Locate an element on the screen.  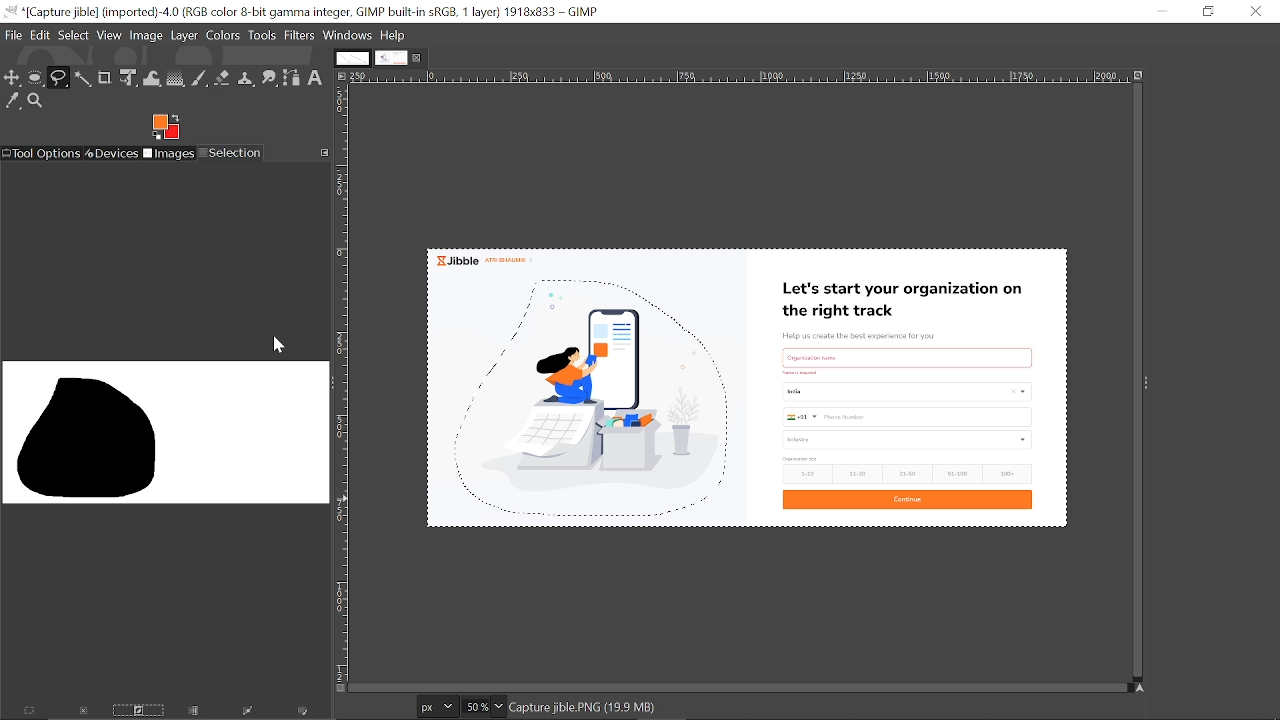
Select is located at coordinates (75, 36).